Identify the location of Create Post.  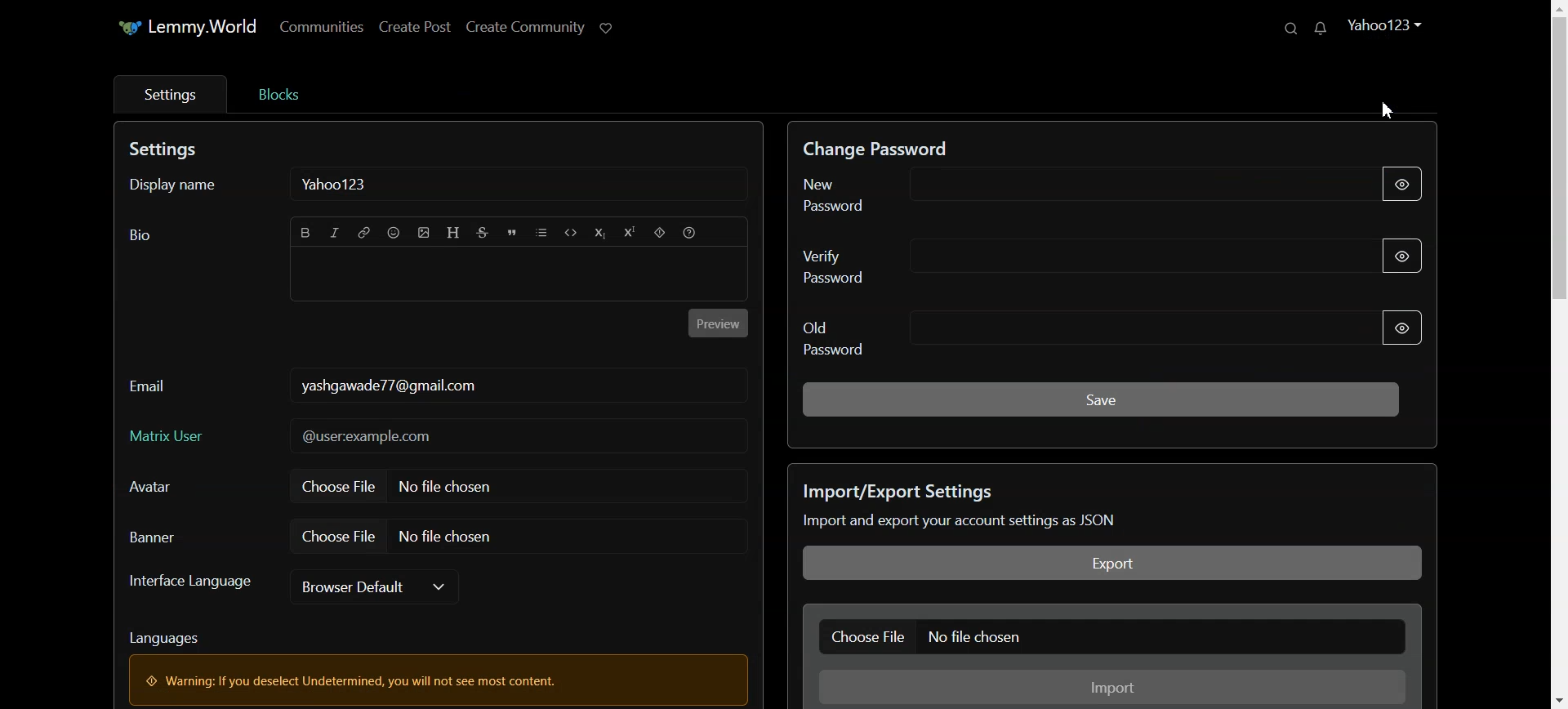
(525, 27).